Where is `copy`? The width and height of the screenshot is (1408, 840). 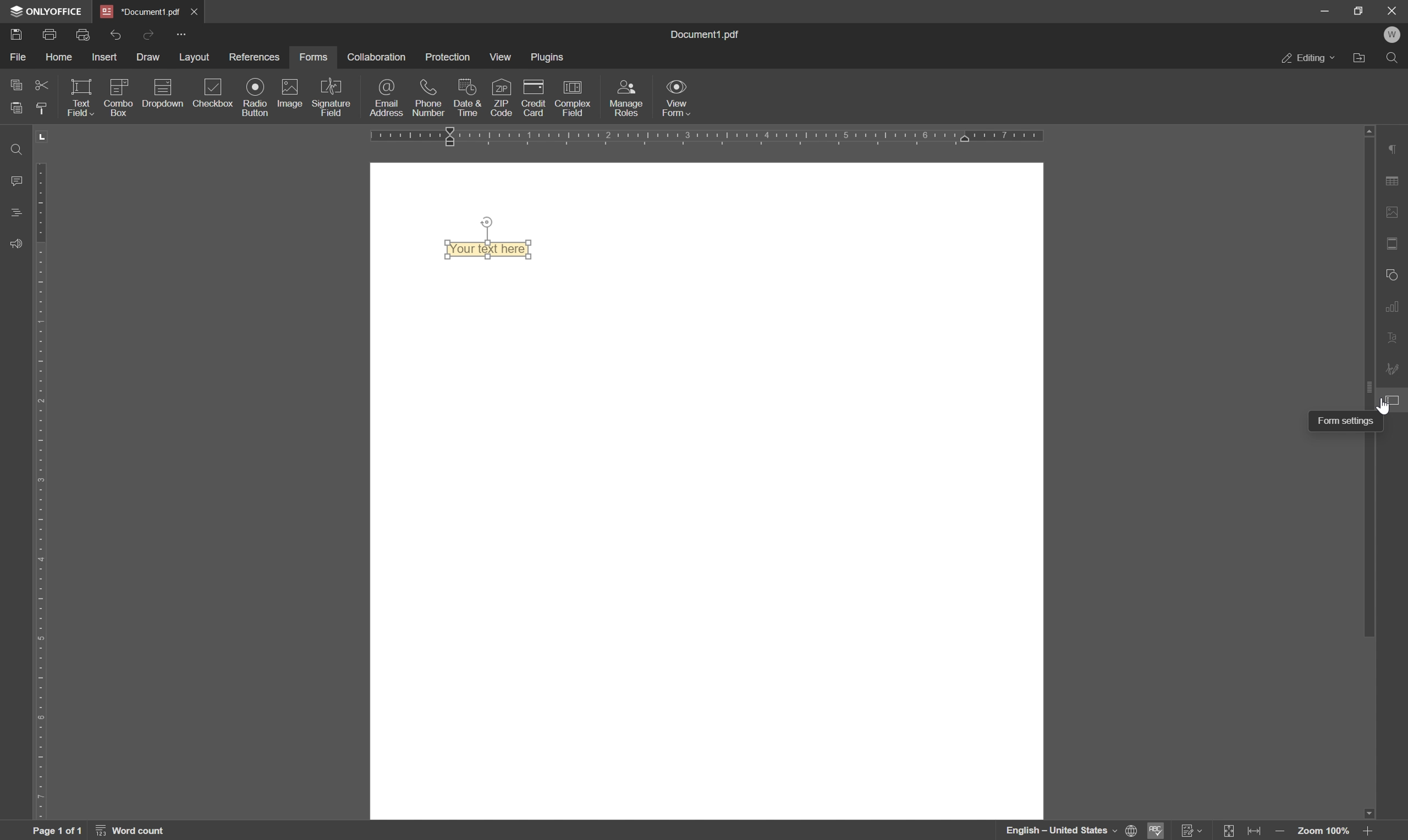
copy is located at coordinates (13, 85).